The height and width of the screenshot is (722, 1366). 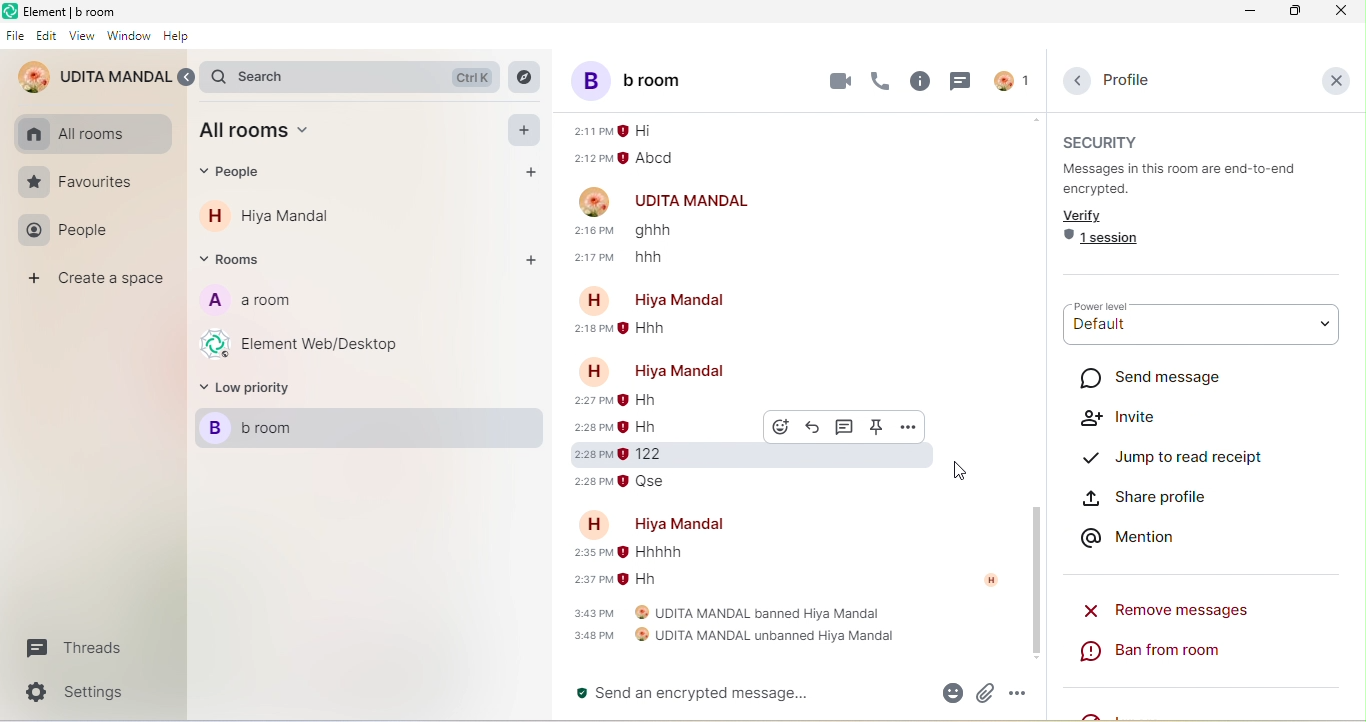 What do you see at coordinates (525, 78) in the screenshot?
I see `explore` at bounding box center [525, 78].